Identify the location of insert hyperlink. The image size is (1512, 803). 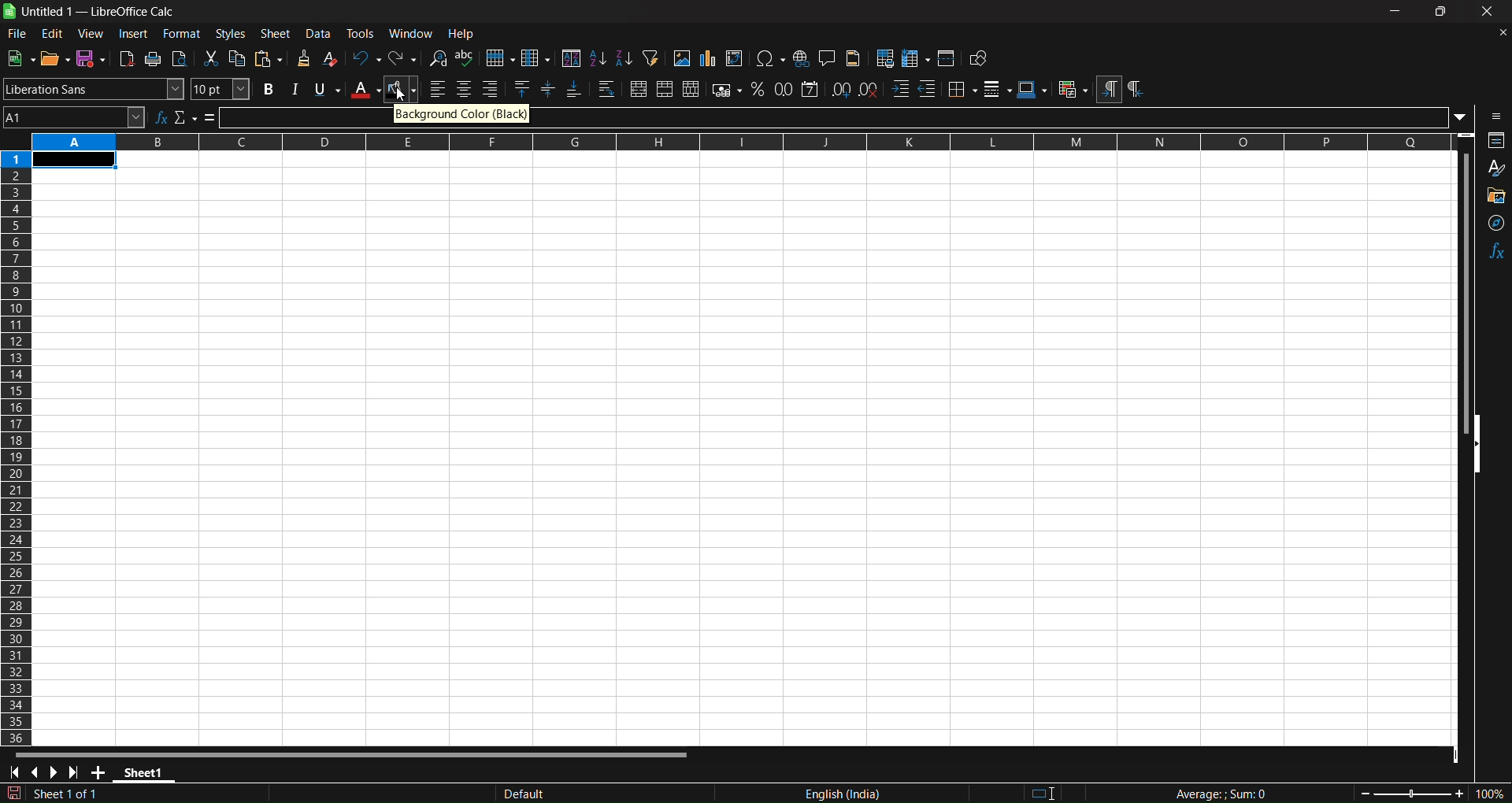
(801, 58).